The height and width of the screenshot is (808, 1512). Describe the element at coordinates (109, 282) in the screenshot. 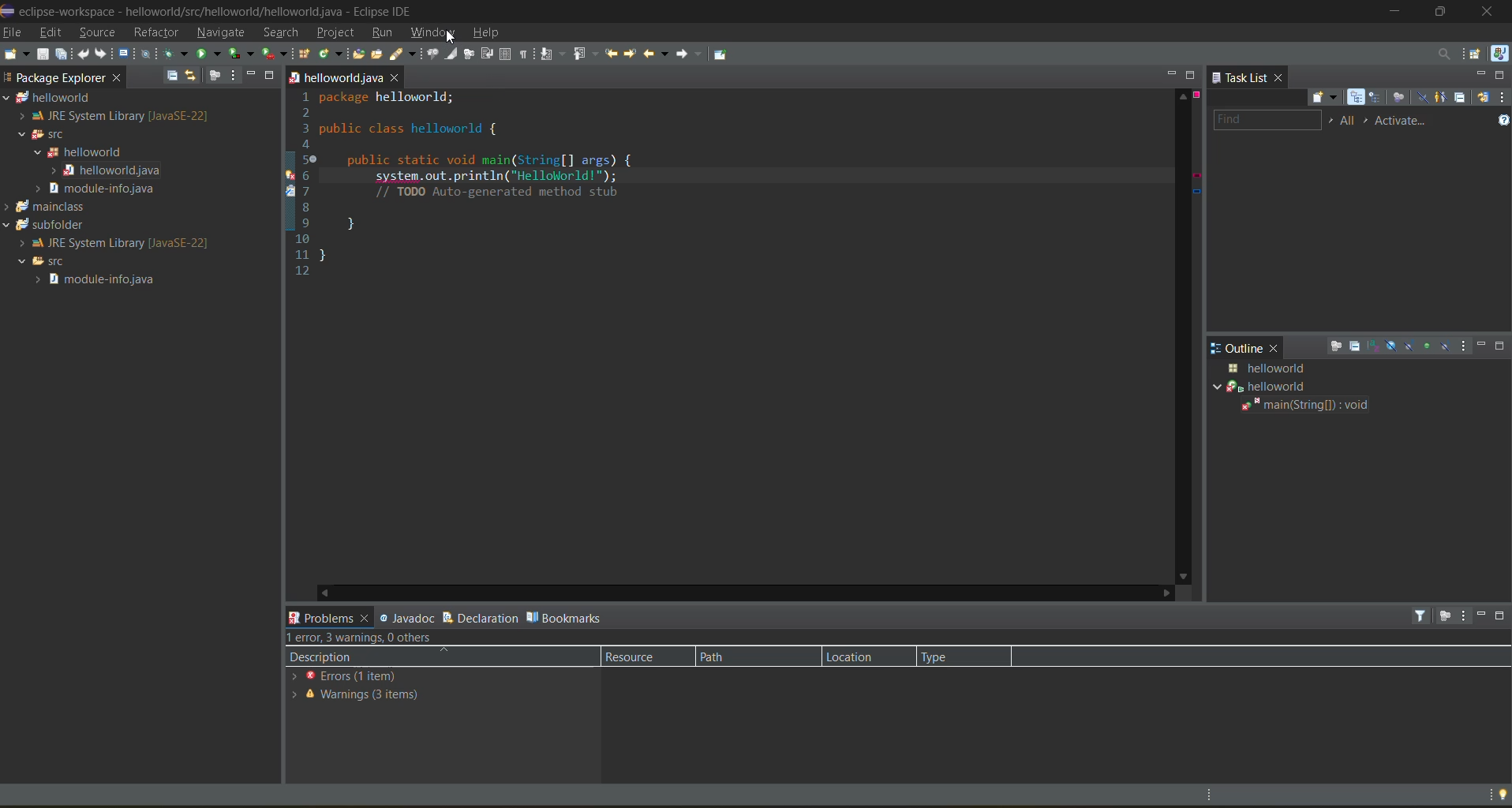

I see `module info java` at that location.